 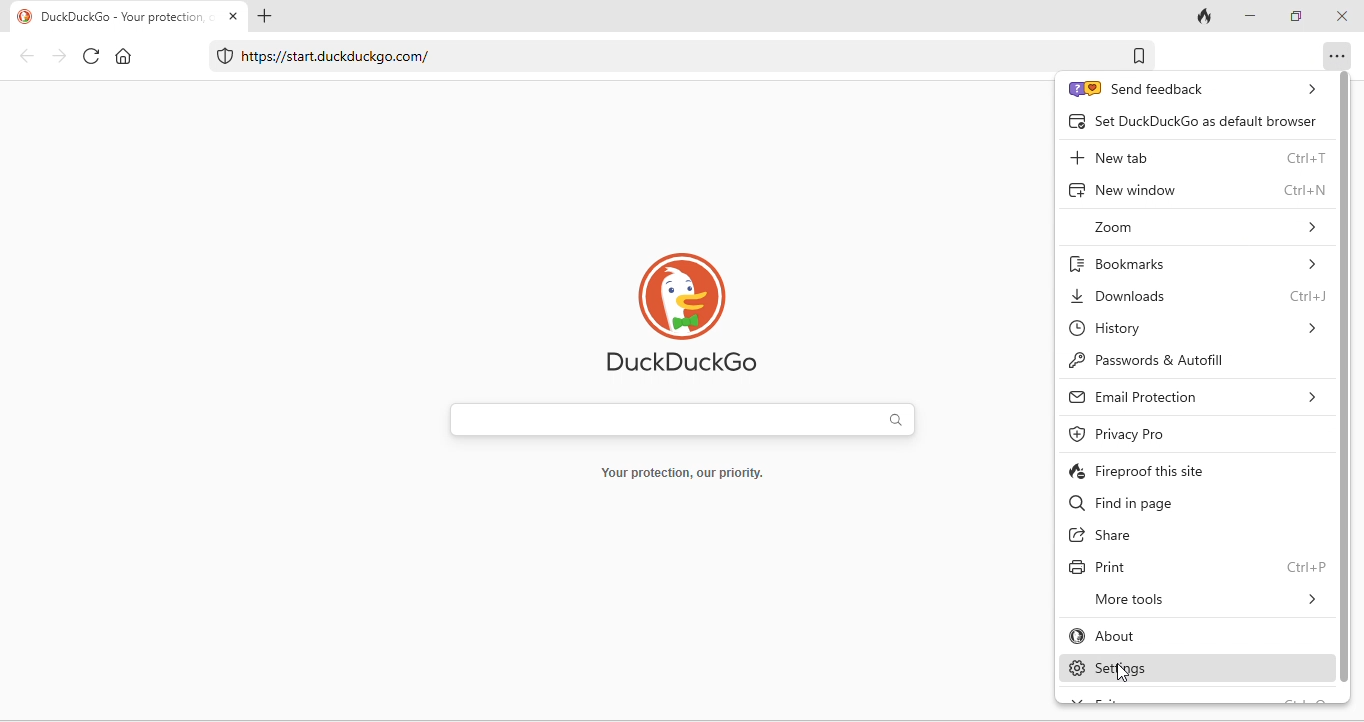 I want to click on print, so click(x=1198, y=566).